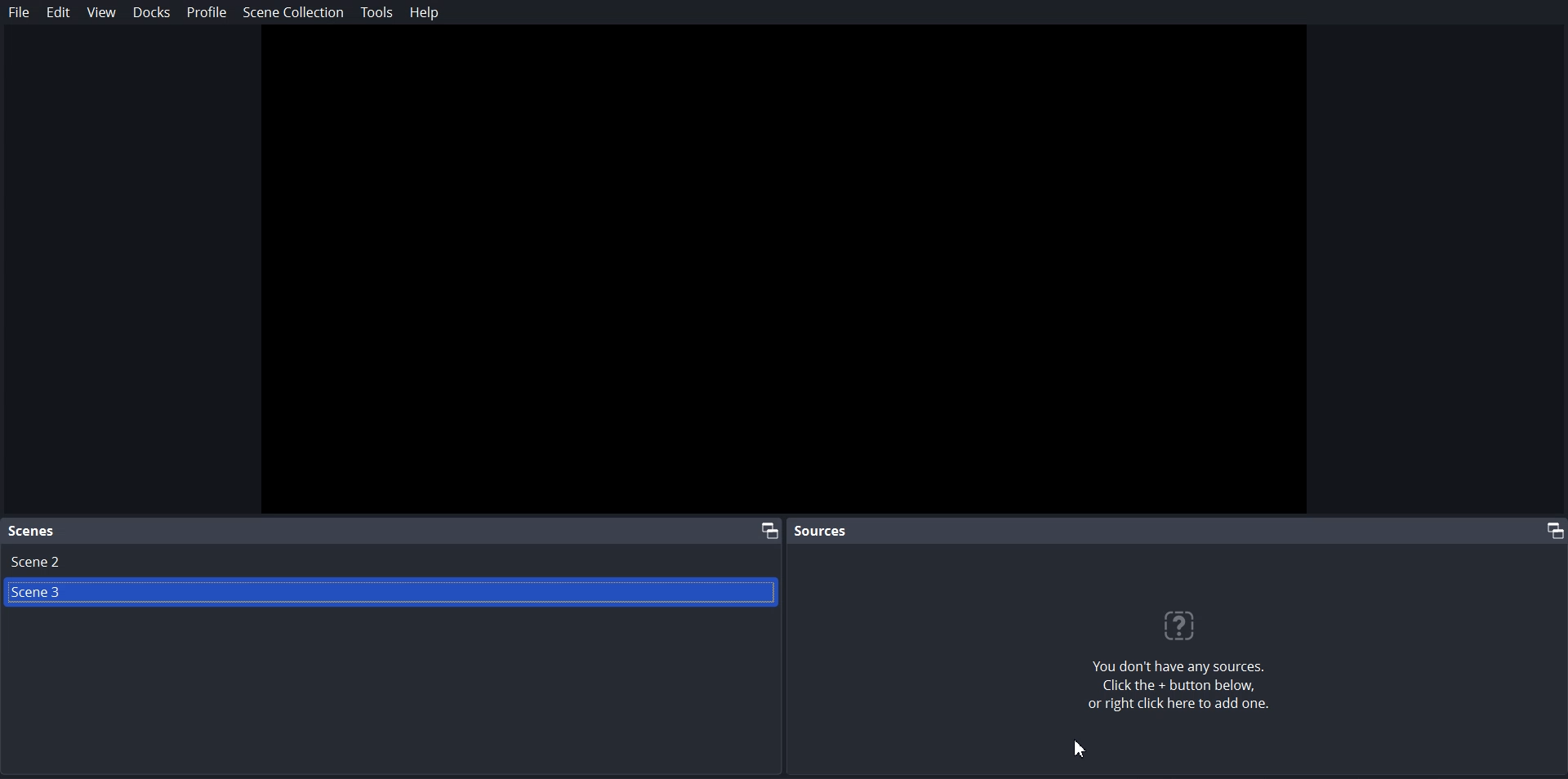 This screenshot has width=1568, height=779. Describe the element at coordinates (1188, 689) in the screenshot. I see `You don’t have any sources.
Click the + button below,
or right click here to add one.` at that location.